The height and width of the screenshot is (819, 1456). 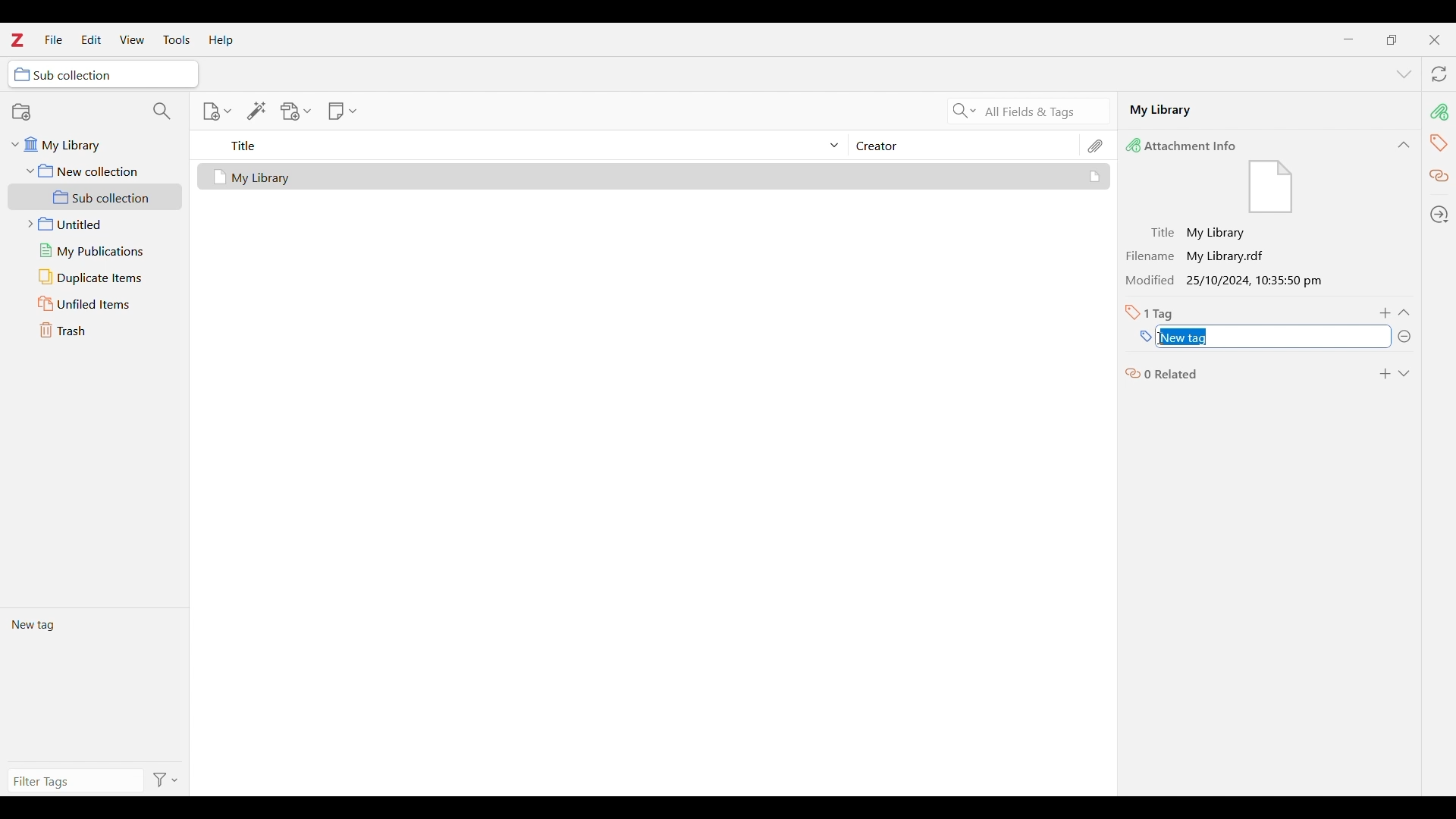 What do you see at coordinates (965, 110) in the screenshot?
I see `Search criteria options` at bounding box center [965, 110].